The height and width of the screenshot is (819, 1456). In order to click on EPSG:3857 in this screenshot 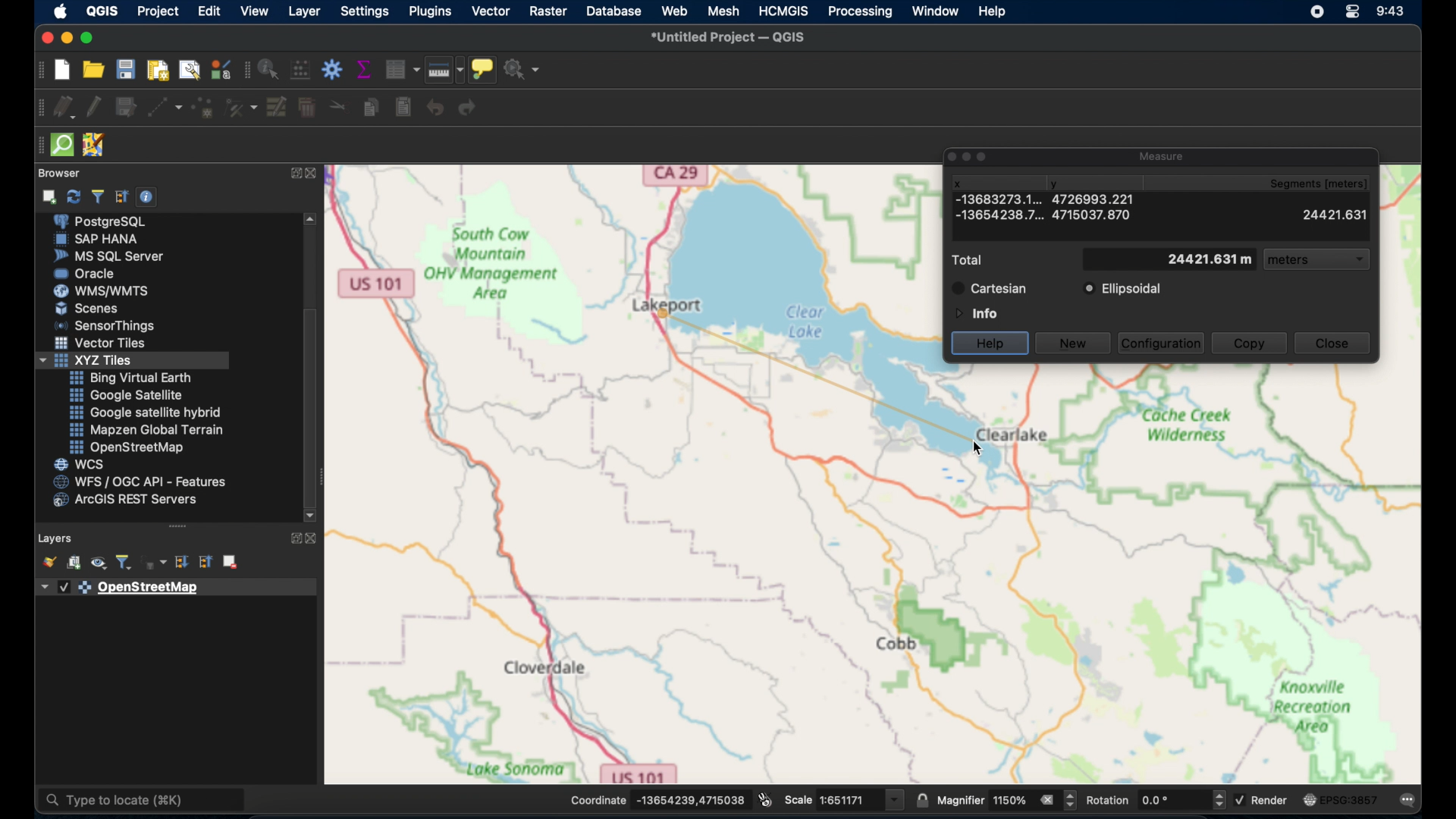, I will do `click(1341, 799)`.